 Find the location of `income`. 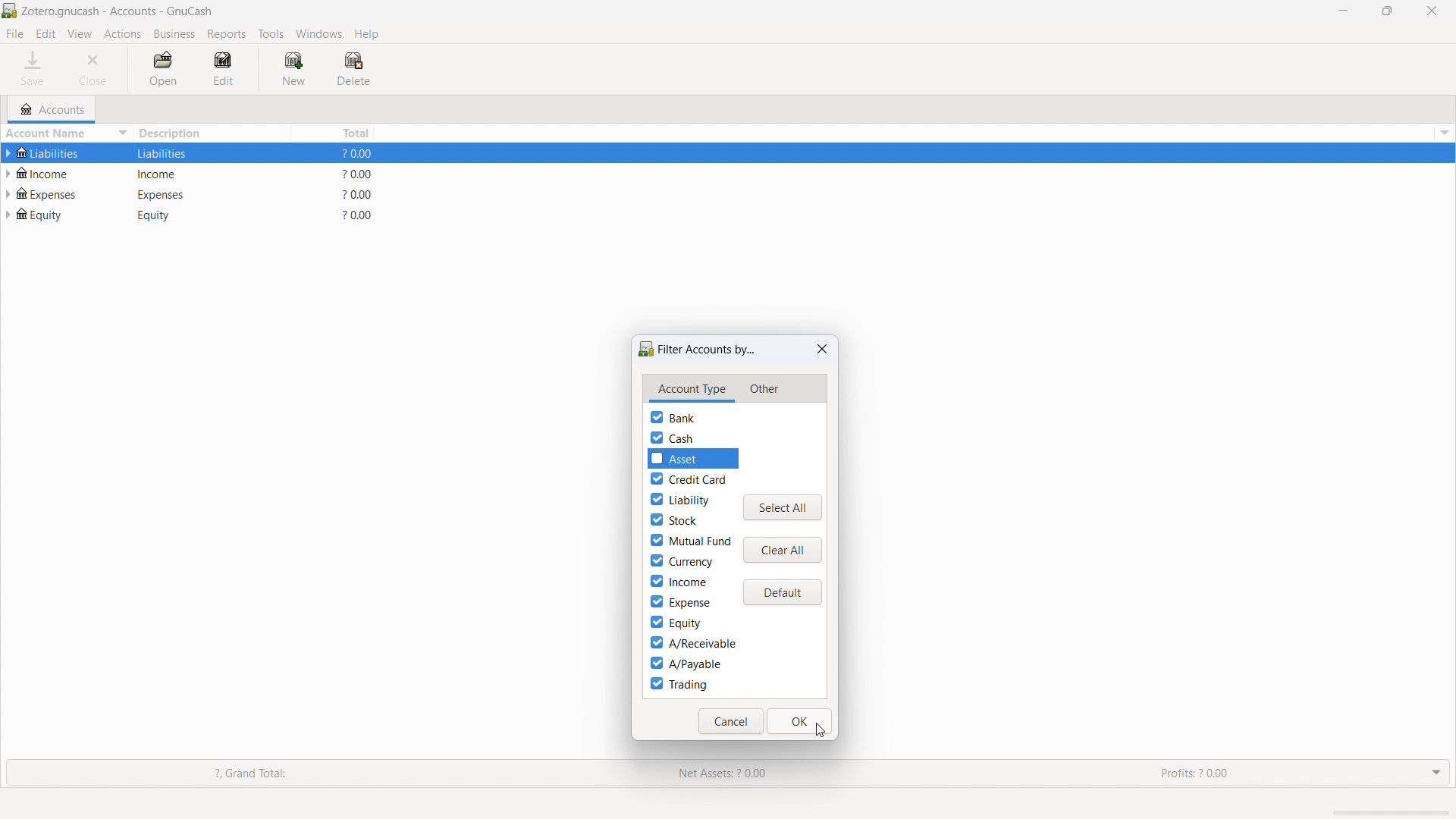

income is located at coordinates (49, 172).